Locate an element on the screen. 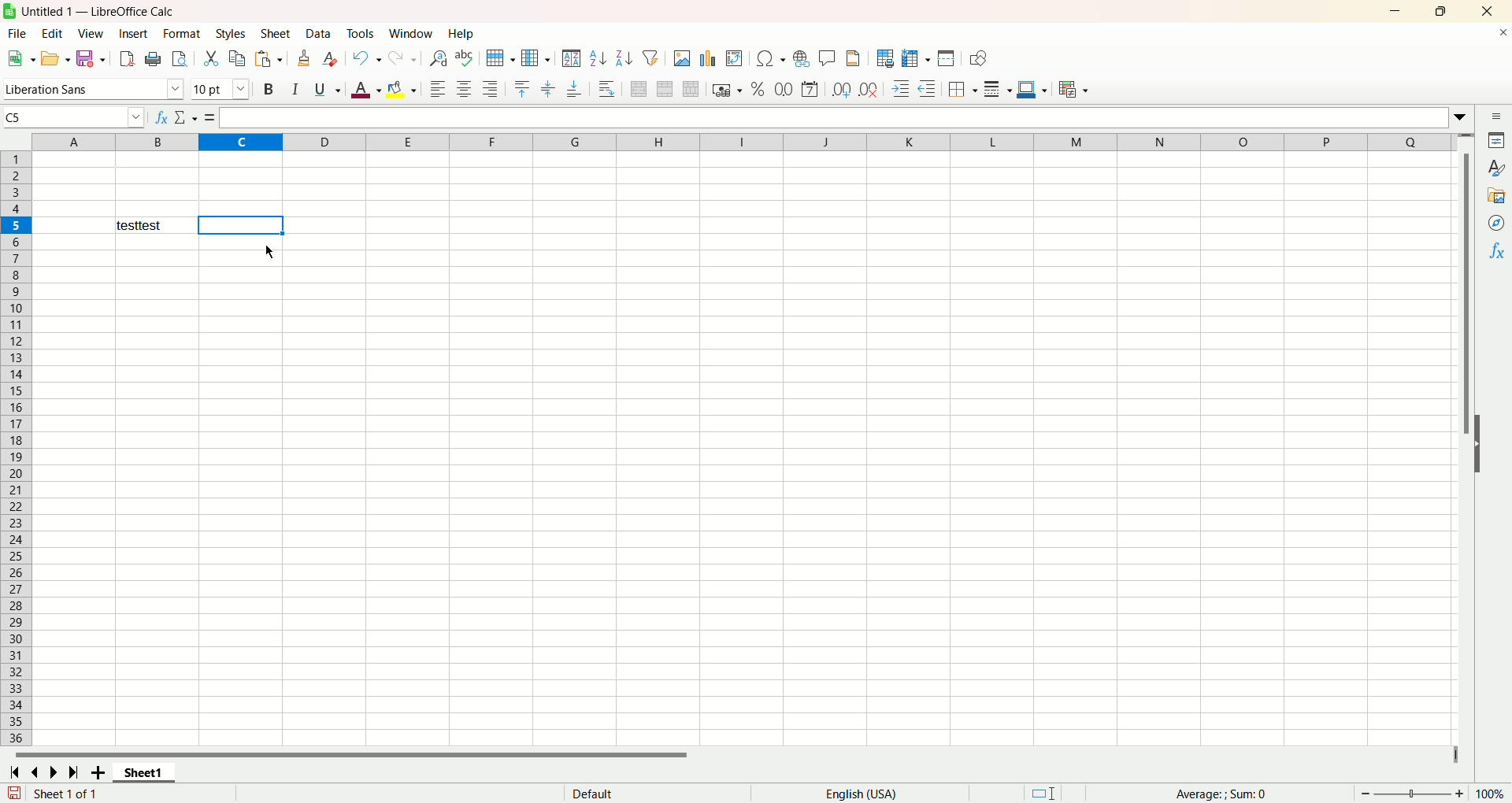 The height and width of the screenshot is (803, 1512). formula bar is located at coordinates (835, 119).